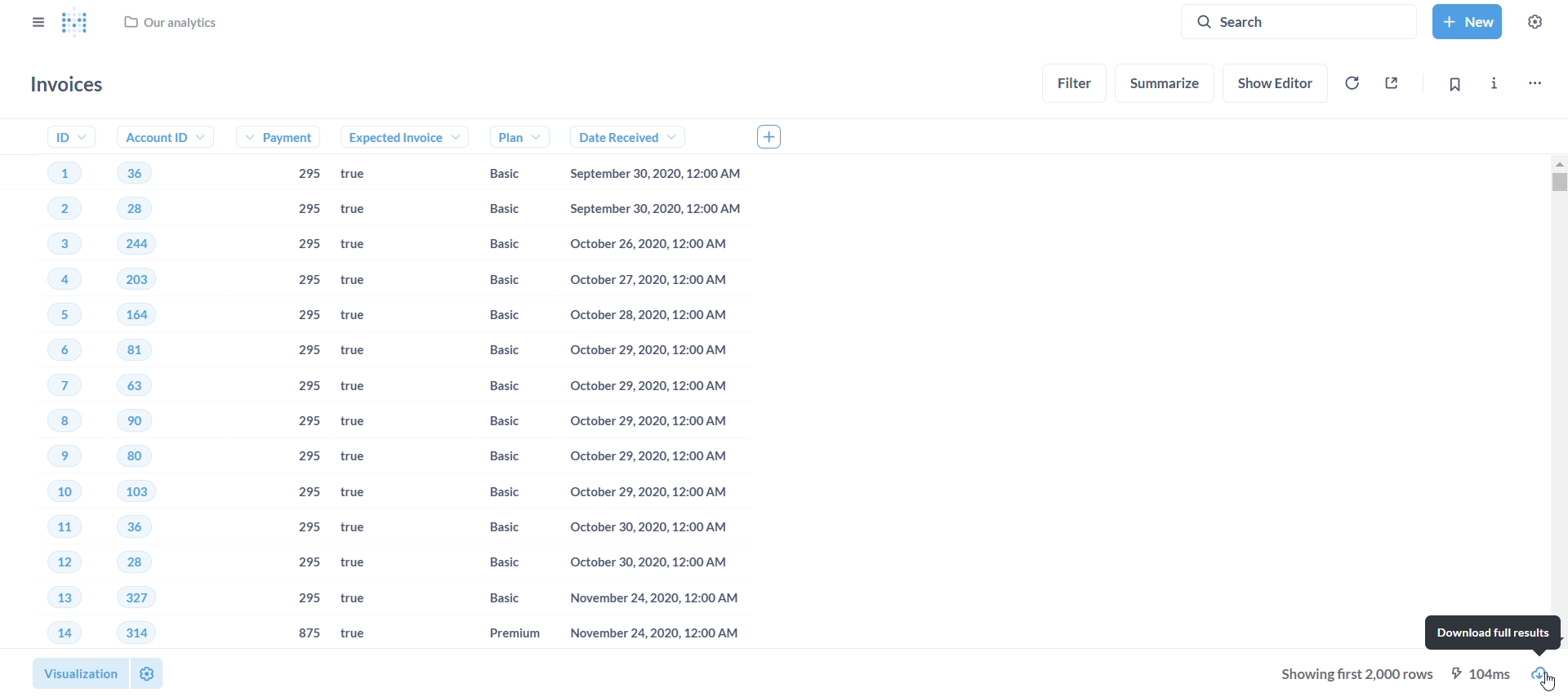  I want to click on Basic, so click(497, 529).